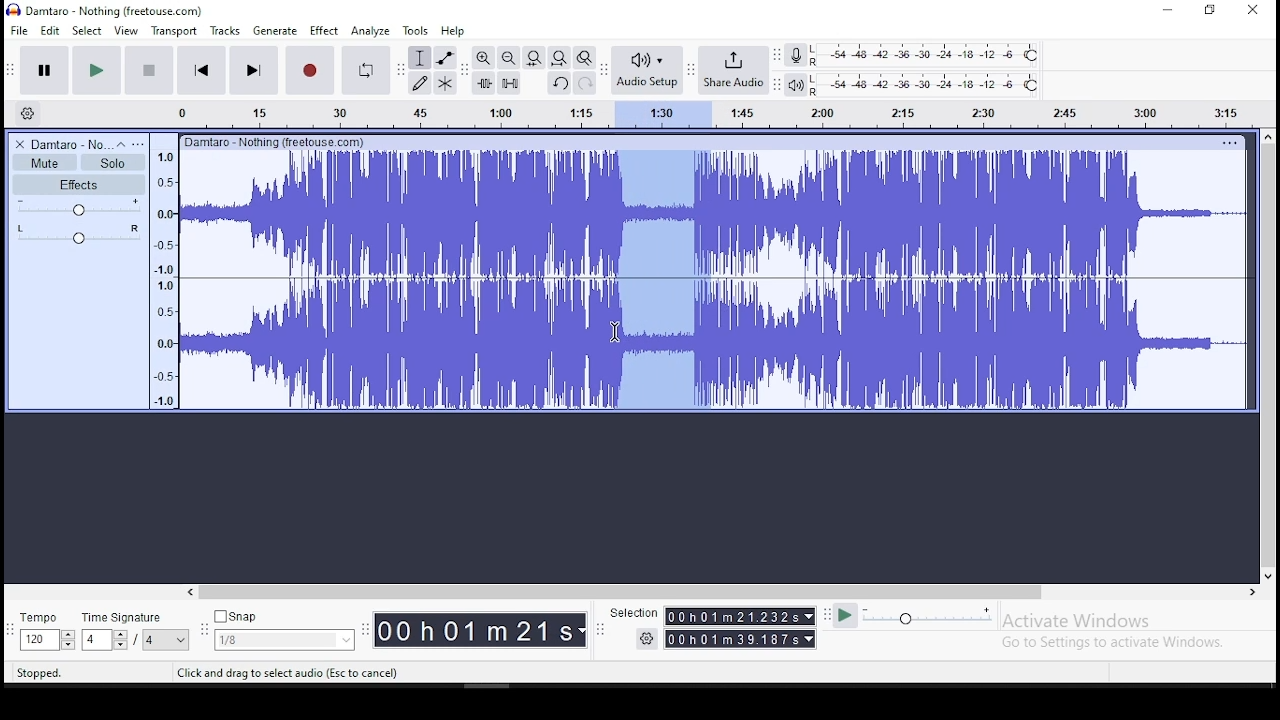 The image size is (1280, 720). Describe the element at coordinates (148, 69) in the screenshot. I see `stop` at that location.